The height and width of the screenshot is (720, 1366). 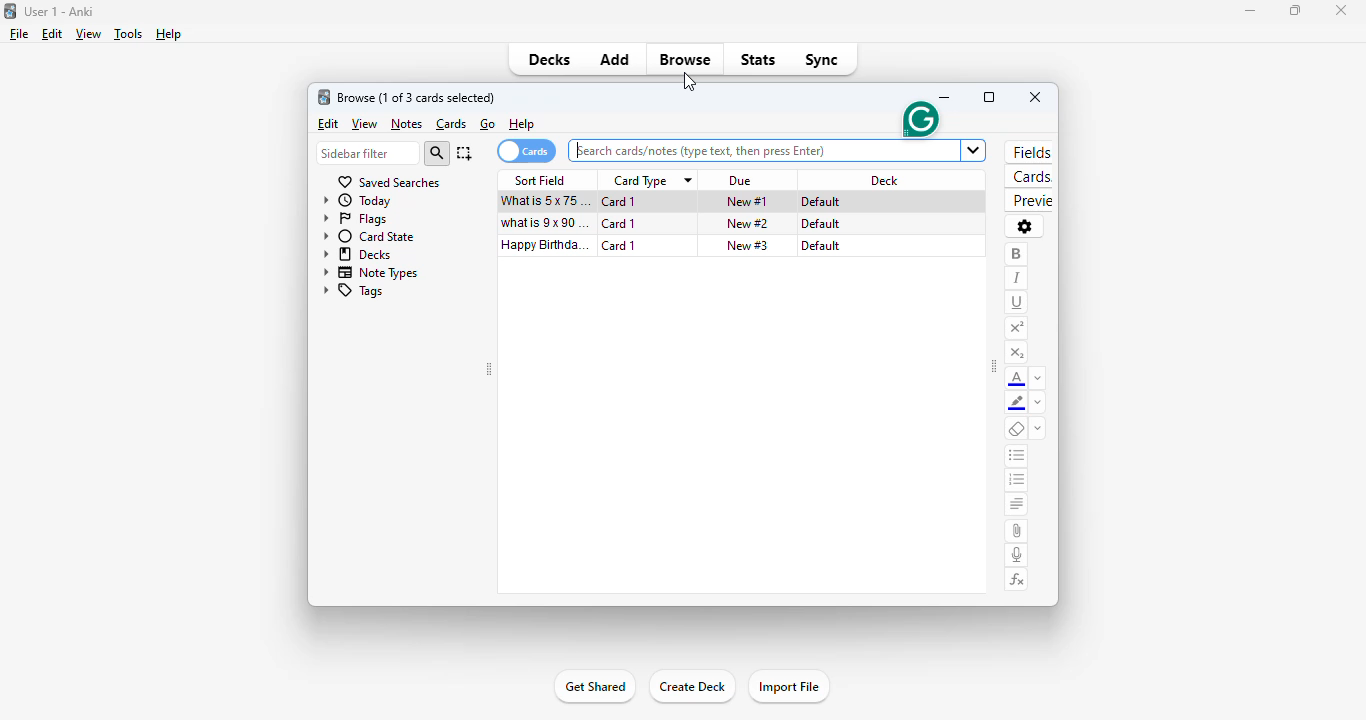 I want to click on deck, so click(x=883, y=179).